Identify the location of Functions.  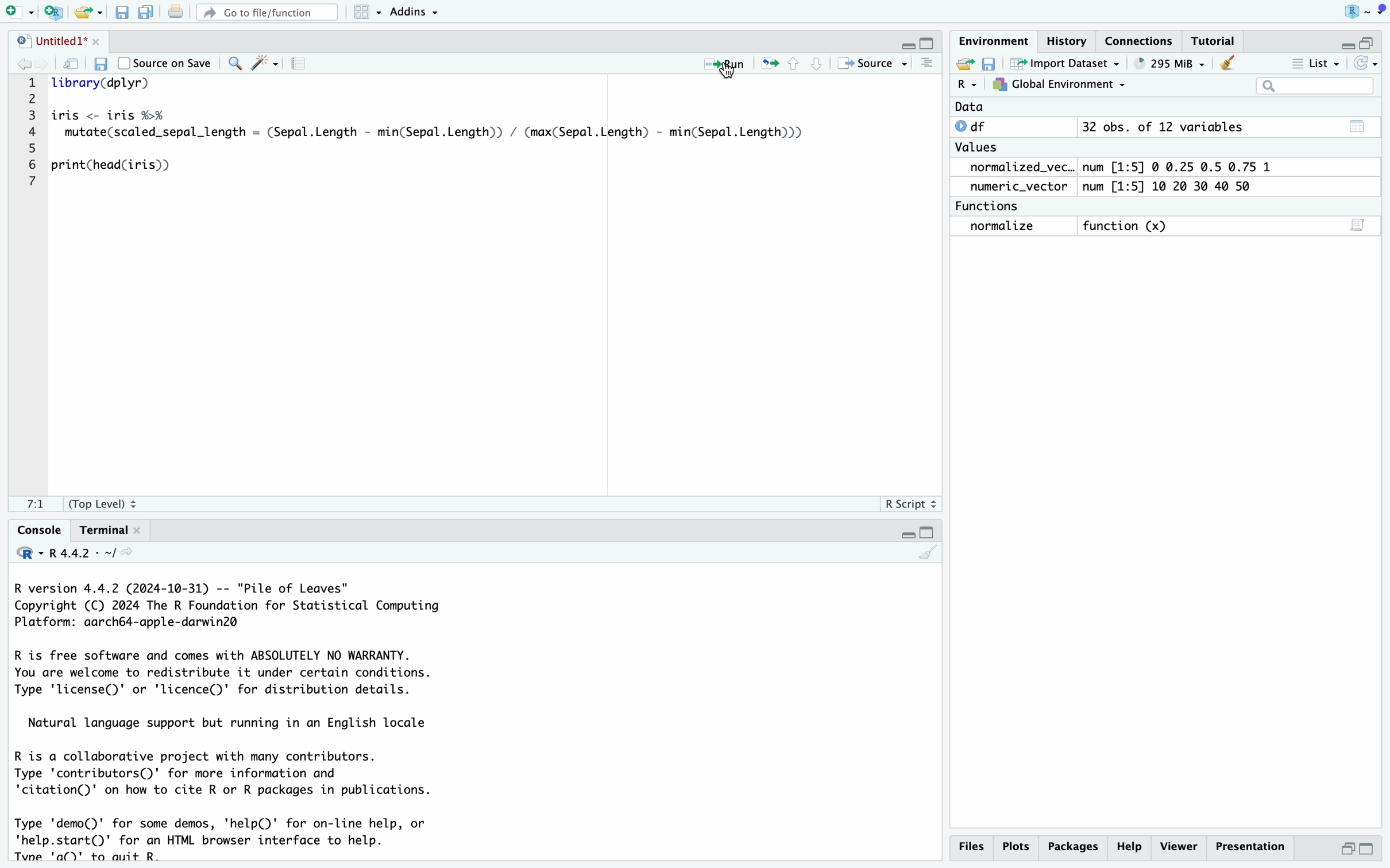
(990, 206).